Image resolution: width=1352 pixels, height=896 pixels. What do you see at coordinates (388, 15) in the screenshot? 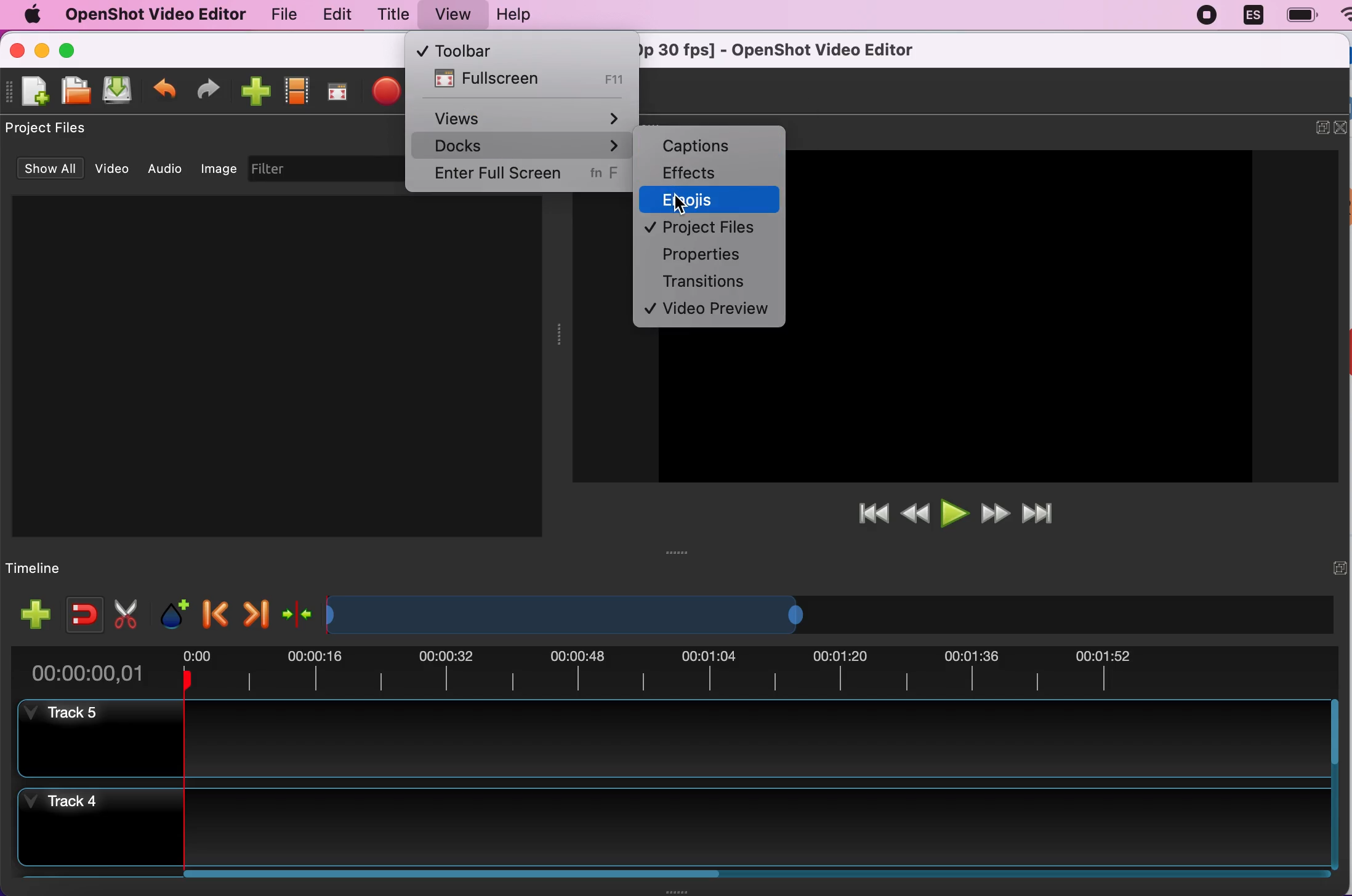
I see `title` at bounding box center [388, 15].